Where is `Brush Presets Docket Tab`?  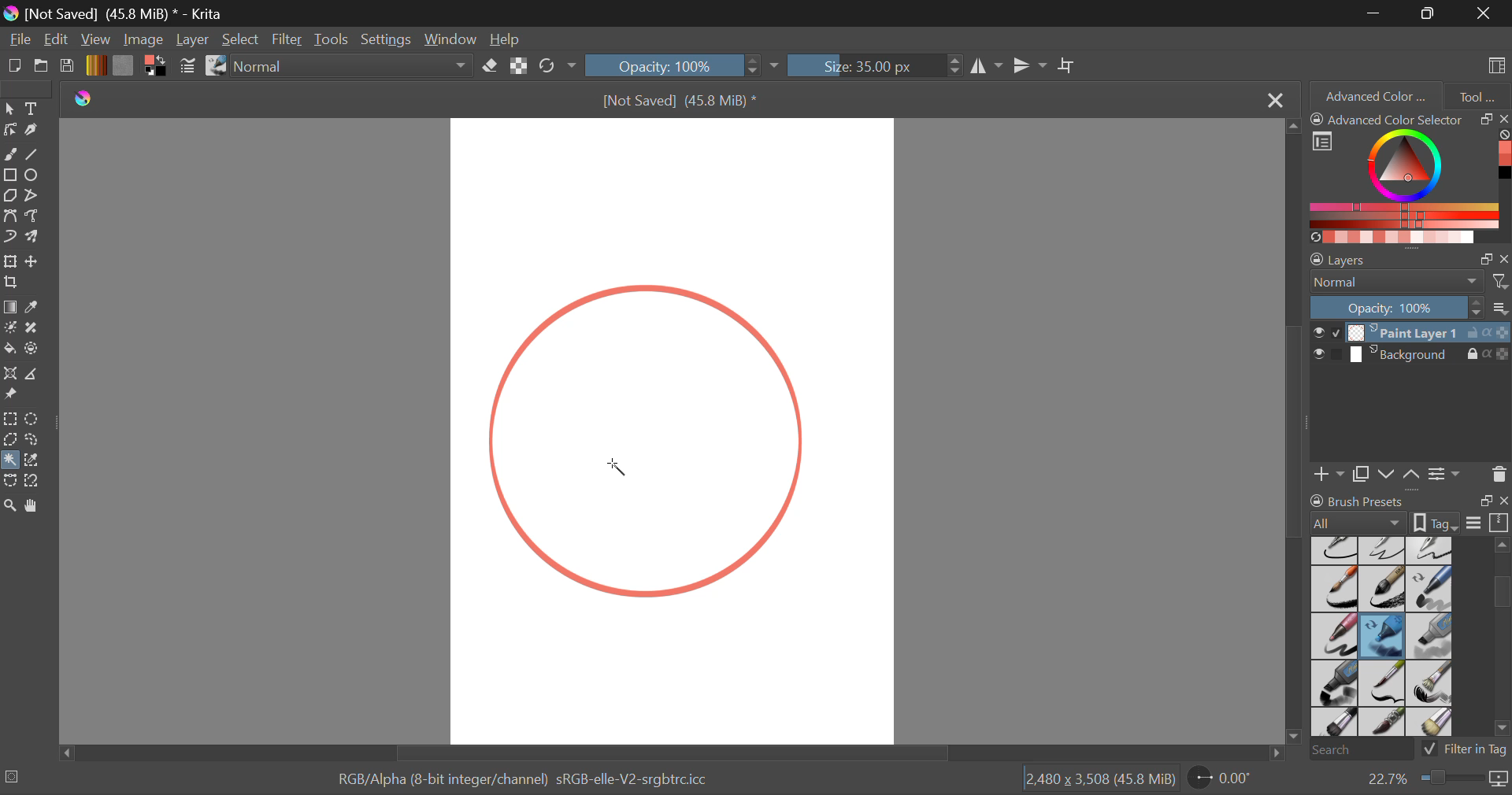 Brush Presets Docket Tab is located at coordinates (1409, 509).